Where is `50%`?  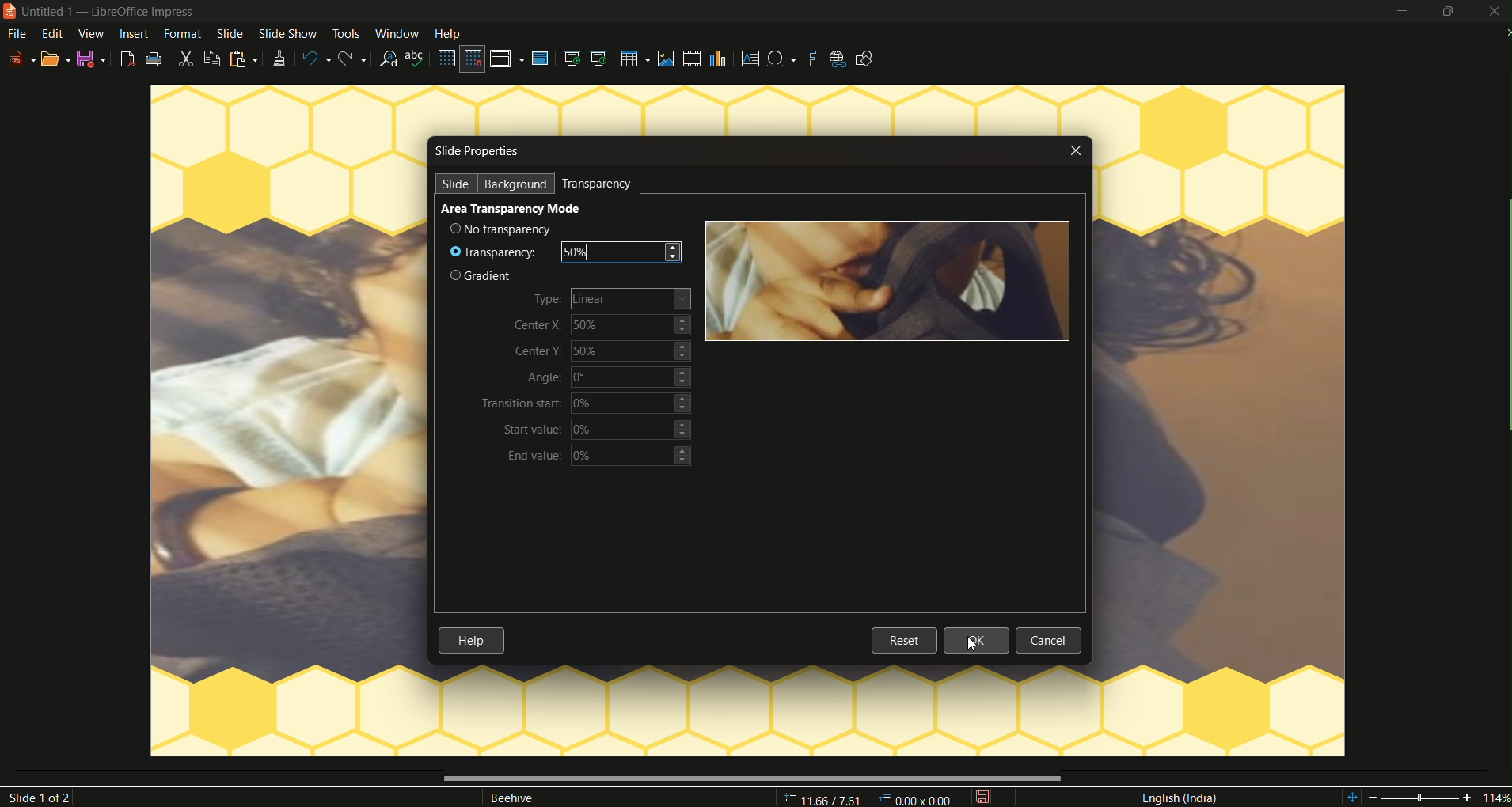 50% is located at coordinates (629, 350).